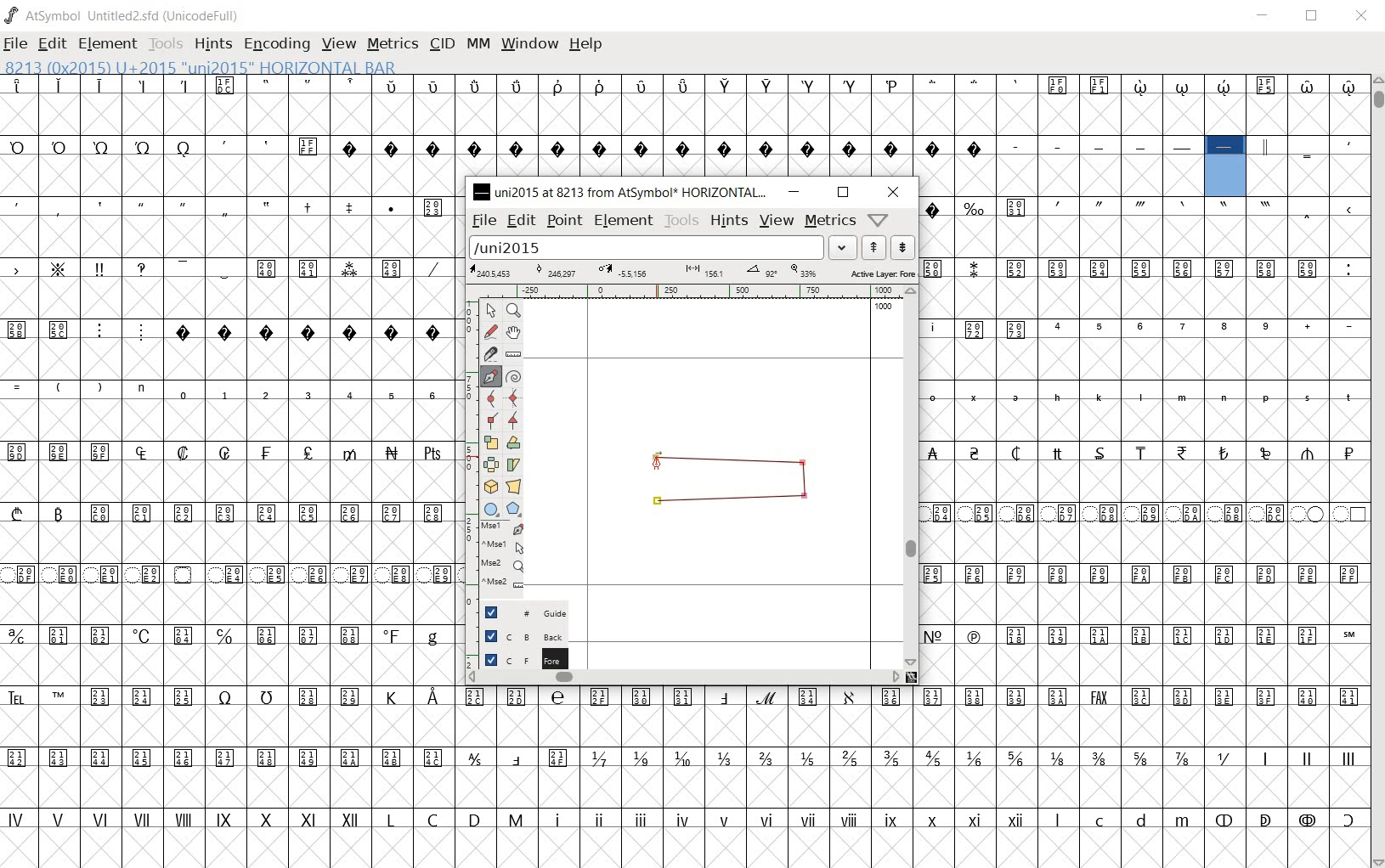 The width and height of the screenshot is (1385, 868). I want to click on VIEW, so click(339, 45).